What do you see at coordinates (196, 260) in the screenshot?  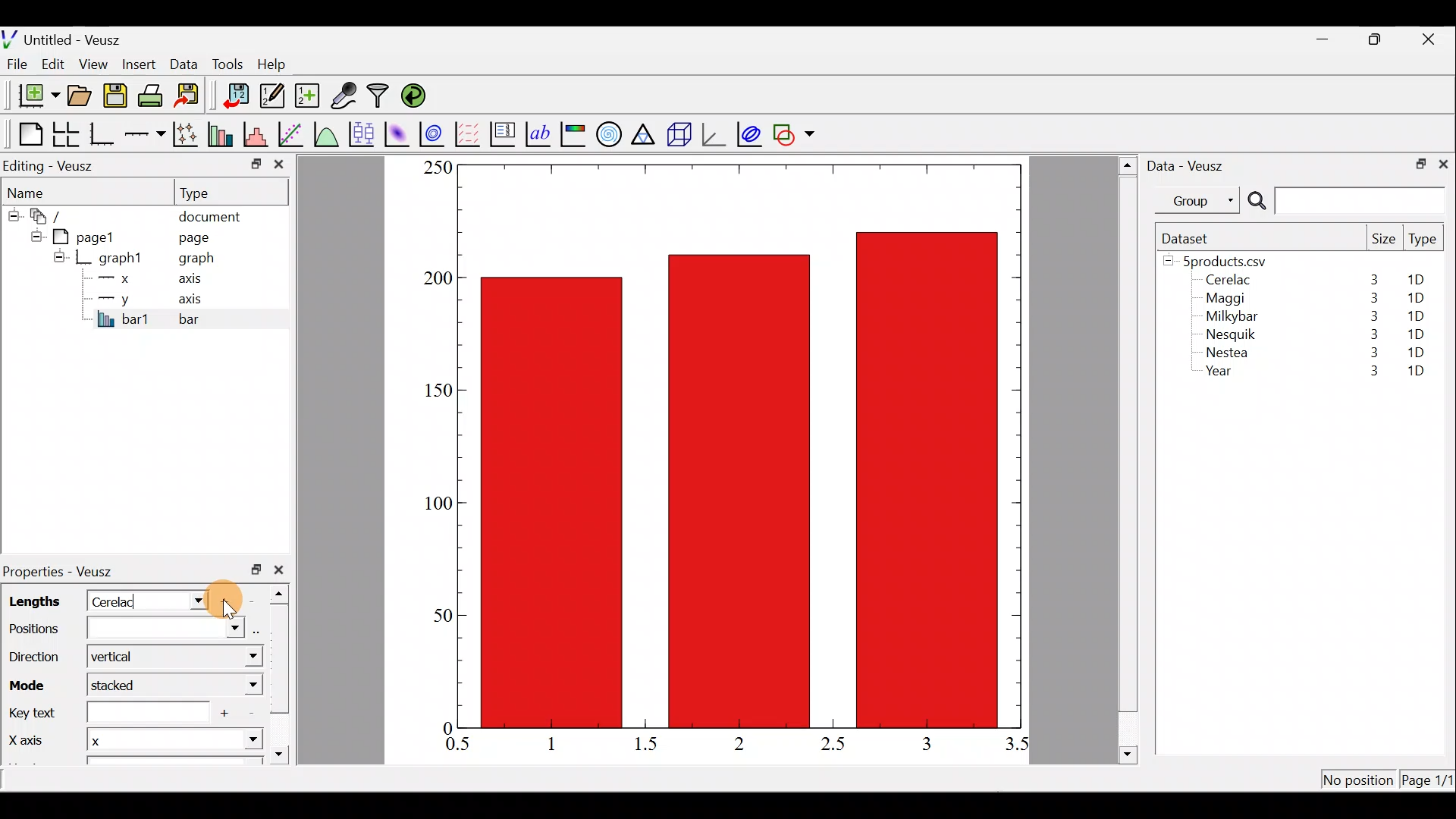 I see `graph` at bounding box center [196, 260].